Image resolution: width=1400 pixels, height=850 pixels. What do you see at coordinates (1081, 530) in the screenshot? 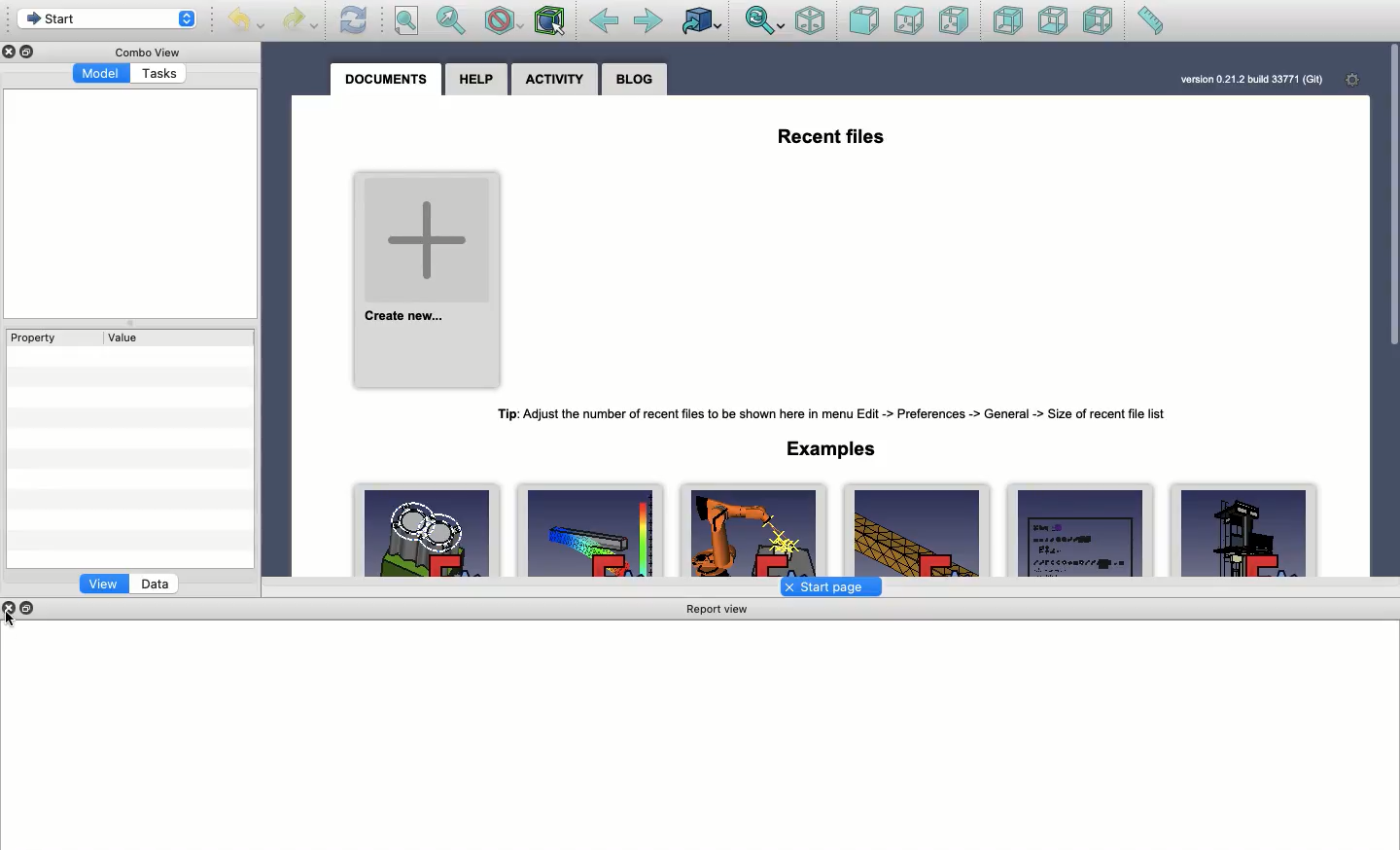
I see `draft_test_objects.FCStd FreeCAD Developers 117Kb` at bounding box center [1081, 530].